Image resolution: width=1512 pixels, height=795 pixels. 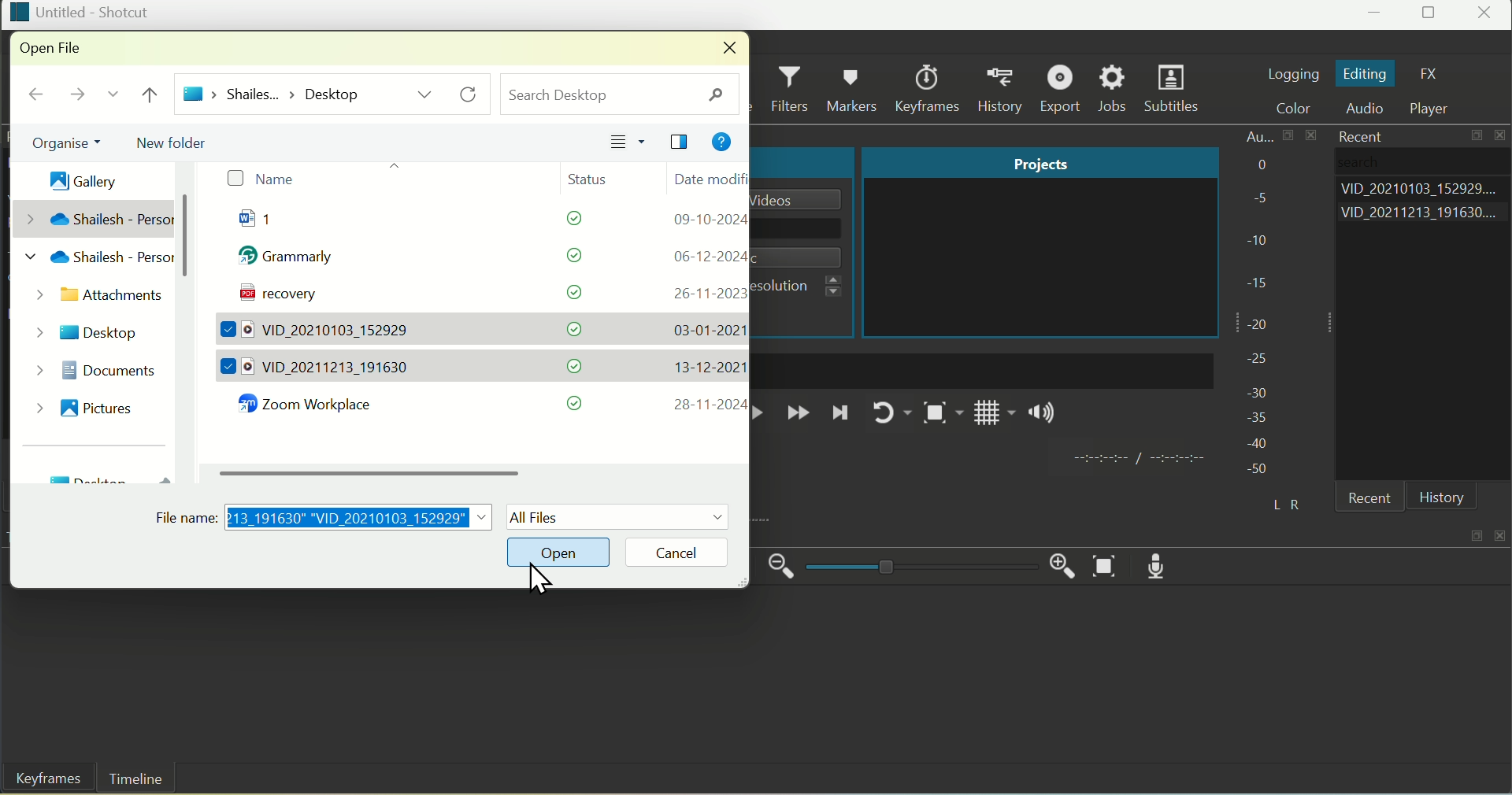 I want to click on Player, so click(x=1437, y=109).